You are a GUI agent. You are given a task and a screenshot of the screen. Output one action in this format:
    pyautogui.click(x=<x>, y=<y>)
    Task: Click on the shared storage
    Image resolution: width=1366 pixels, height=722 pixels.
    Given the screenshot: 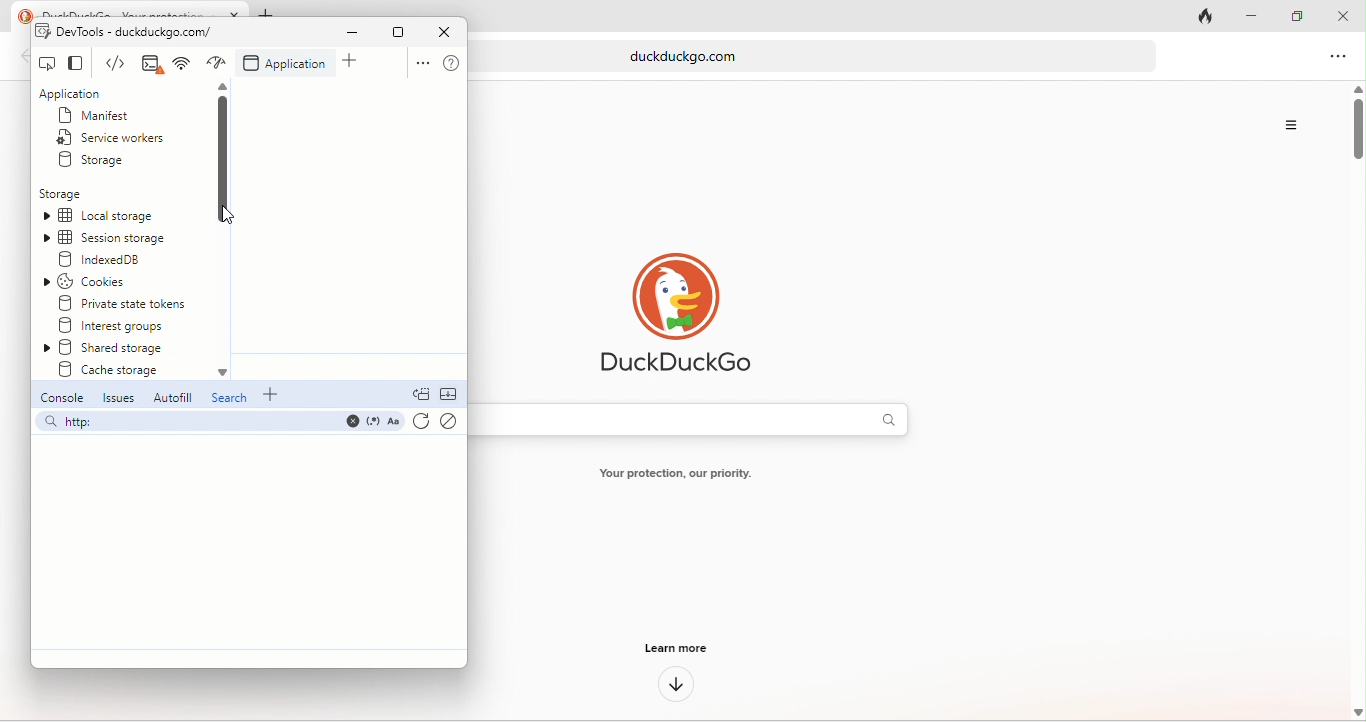 What is the action you would take?
    pyautogui.click(x=111, y=348)
    